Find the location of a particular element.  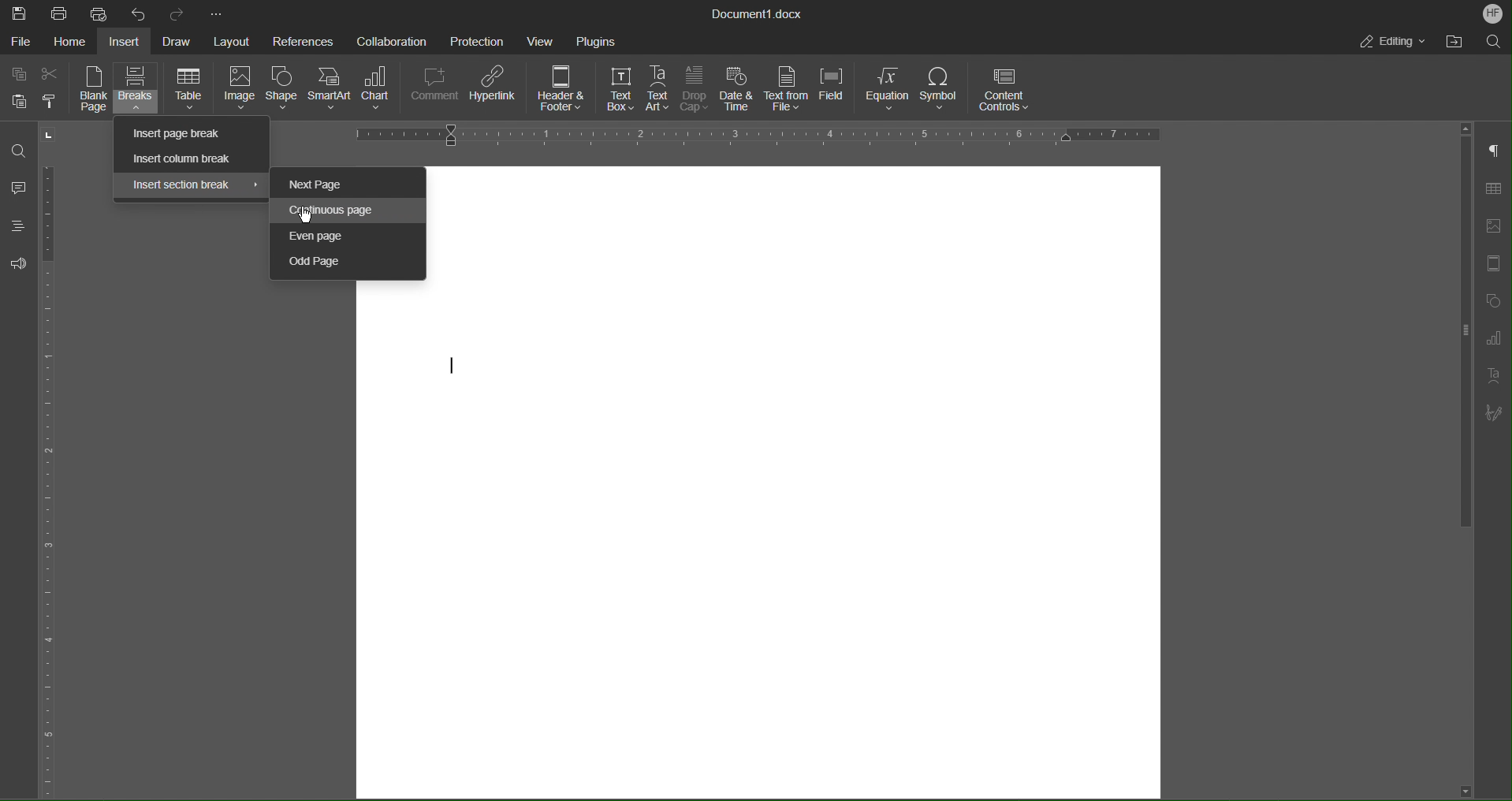

SmartArt is located at coordinates (329, 91).